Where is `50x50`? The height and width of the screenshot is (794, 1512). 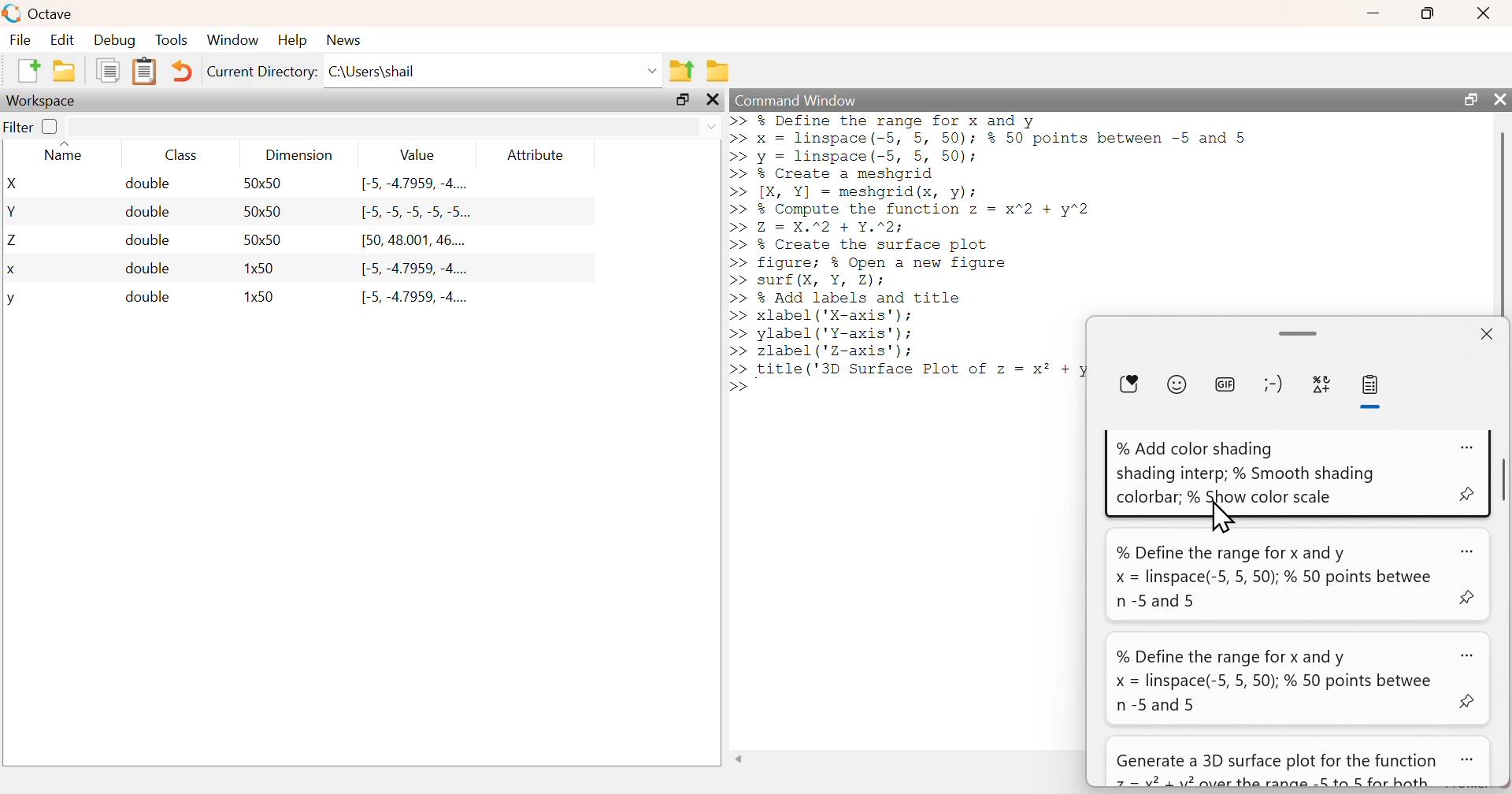 50x50 is located at coordinates (264, 239).